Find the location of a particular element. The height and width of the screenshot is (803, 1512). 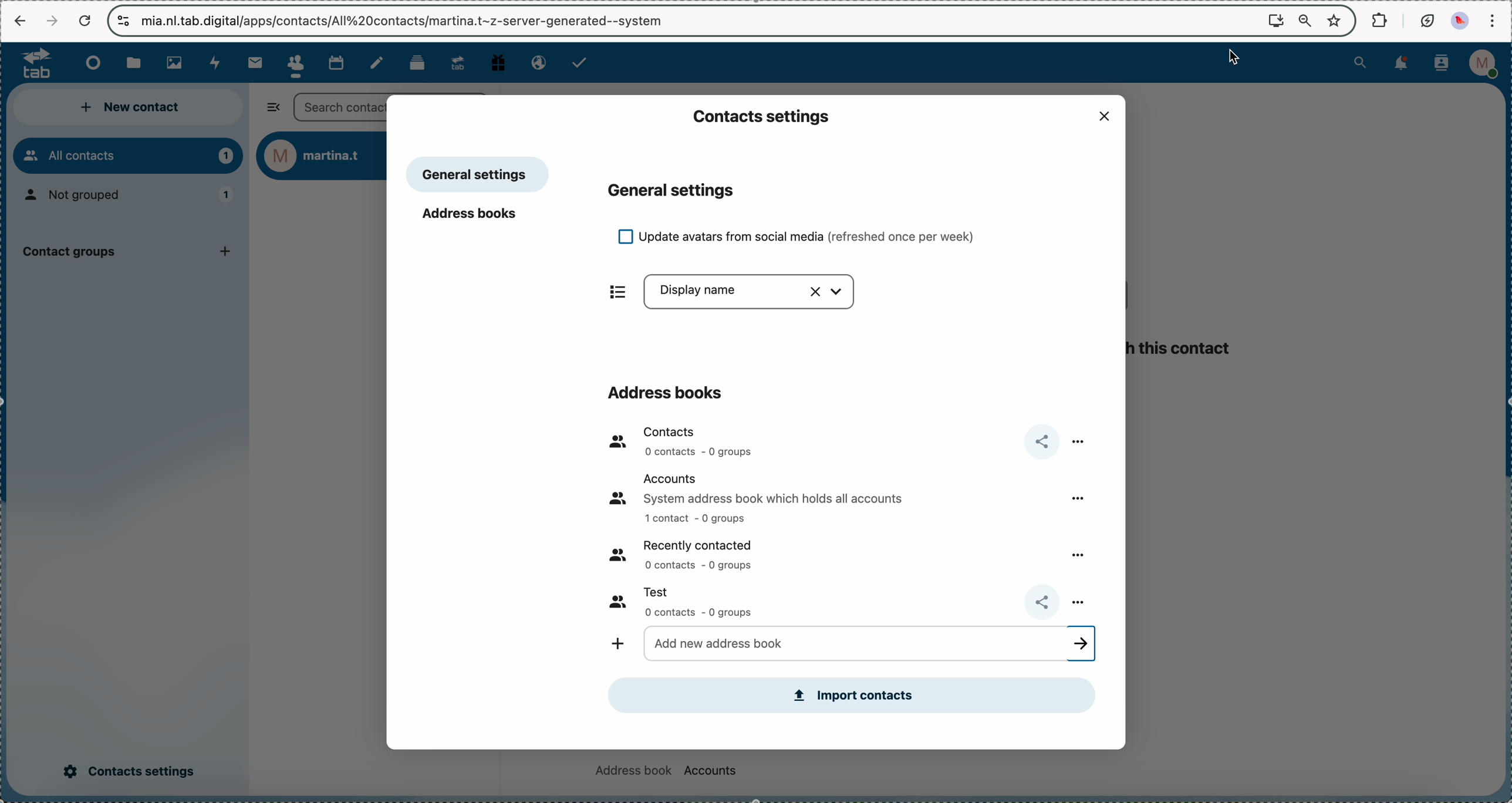

share is located at coordinates (1039, 442).